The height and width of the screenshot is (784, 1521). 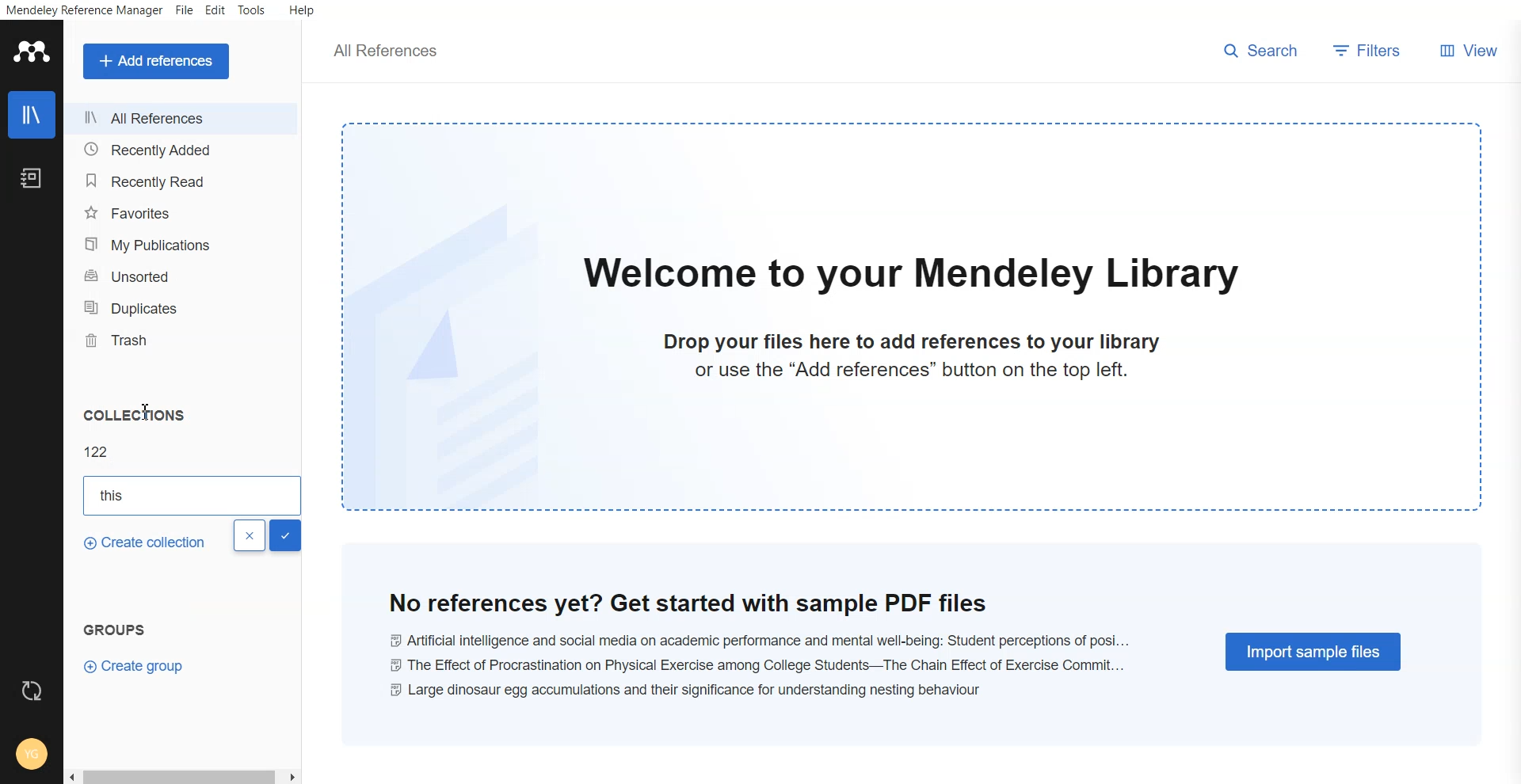 I want to click on Done, so click(x=286, y=534).